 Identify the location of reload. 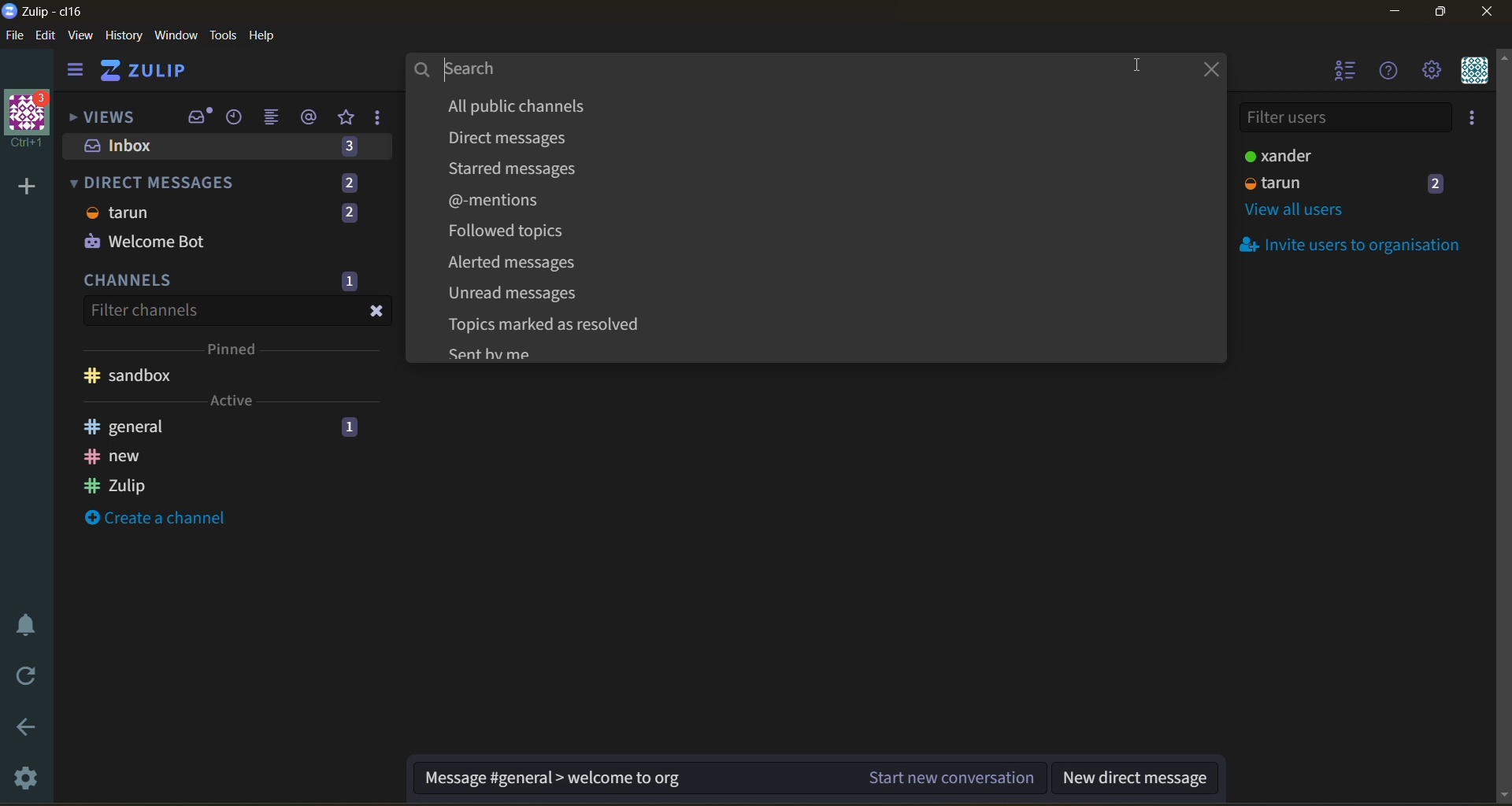
(28, 673).